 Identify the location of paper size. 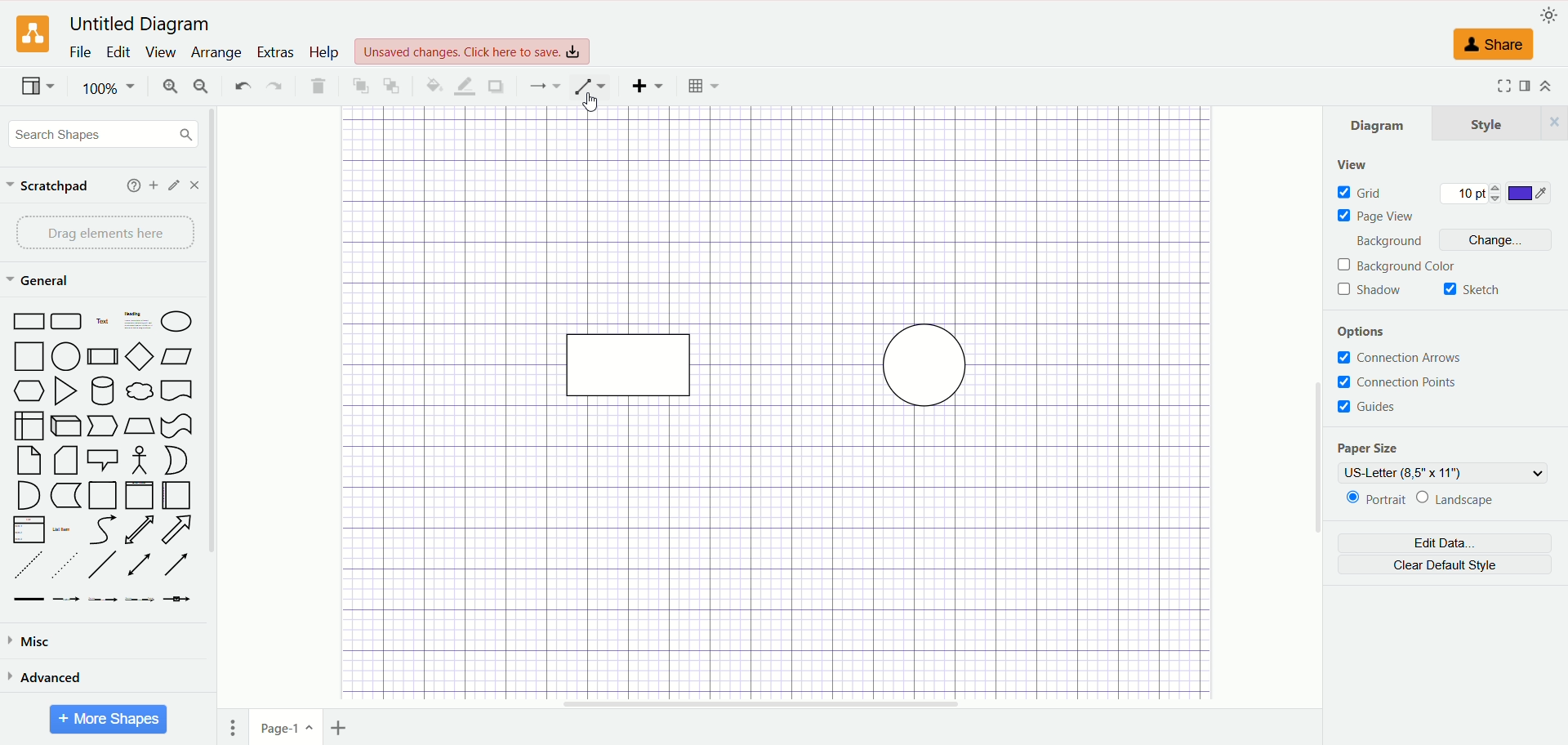
(1370, 448).